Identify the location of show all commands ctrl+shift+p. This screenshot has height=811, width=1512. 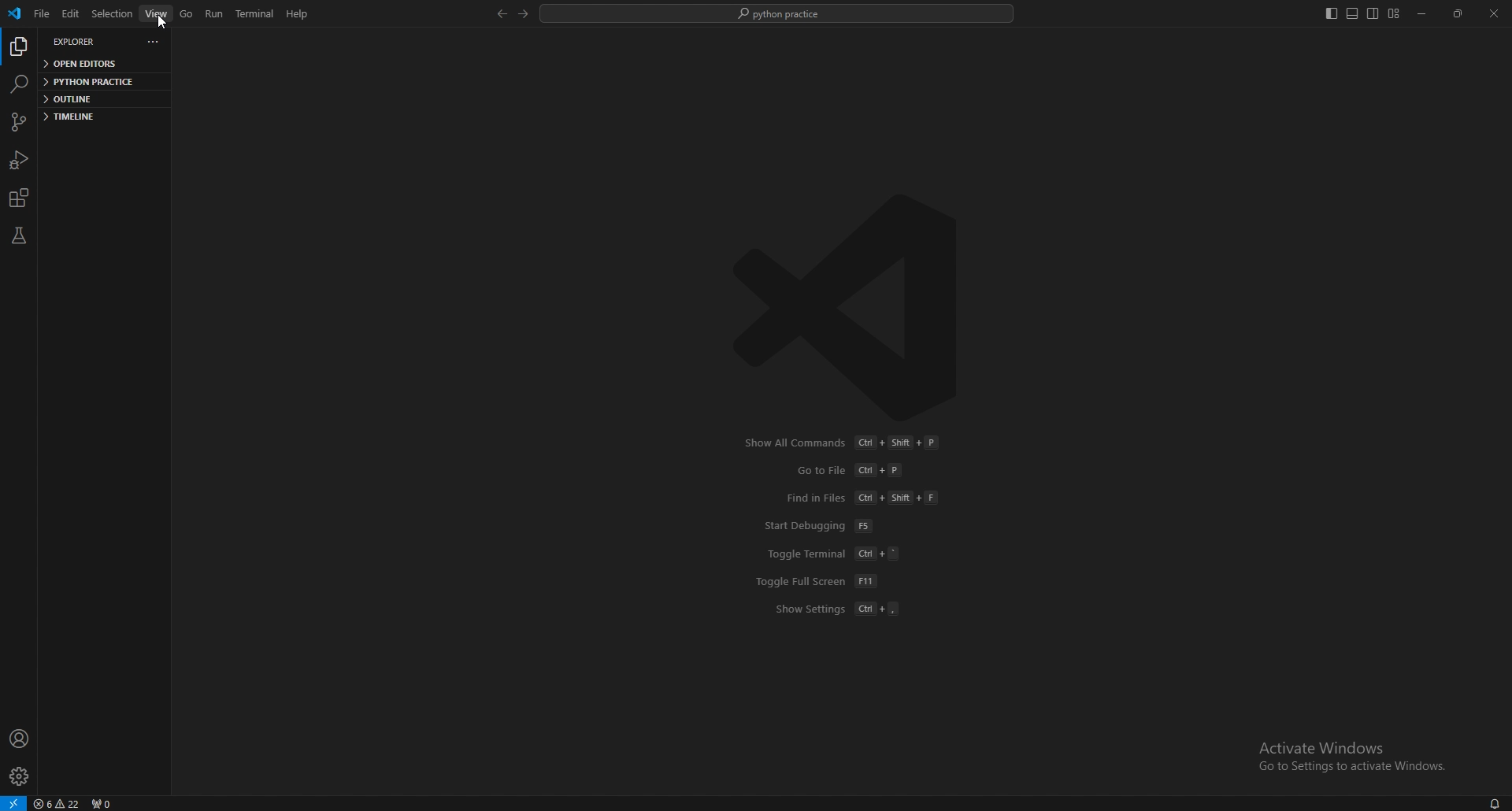
(845, 443).